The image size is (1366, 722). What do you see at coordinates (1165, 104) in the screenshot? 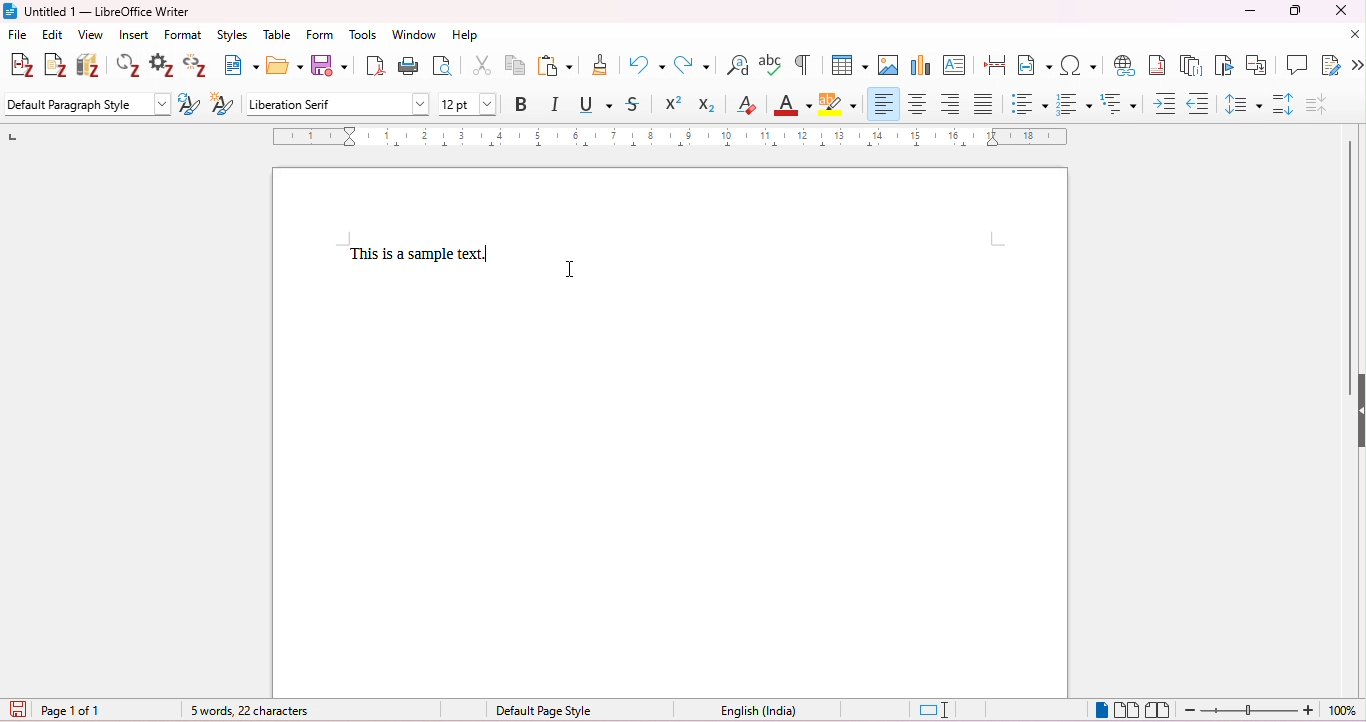
I see `increase indent` at bounding box center [1165, 104].